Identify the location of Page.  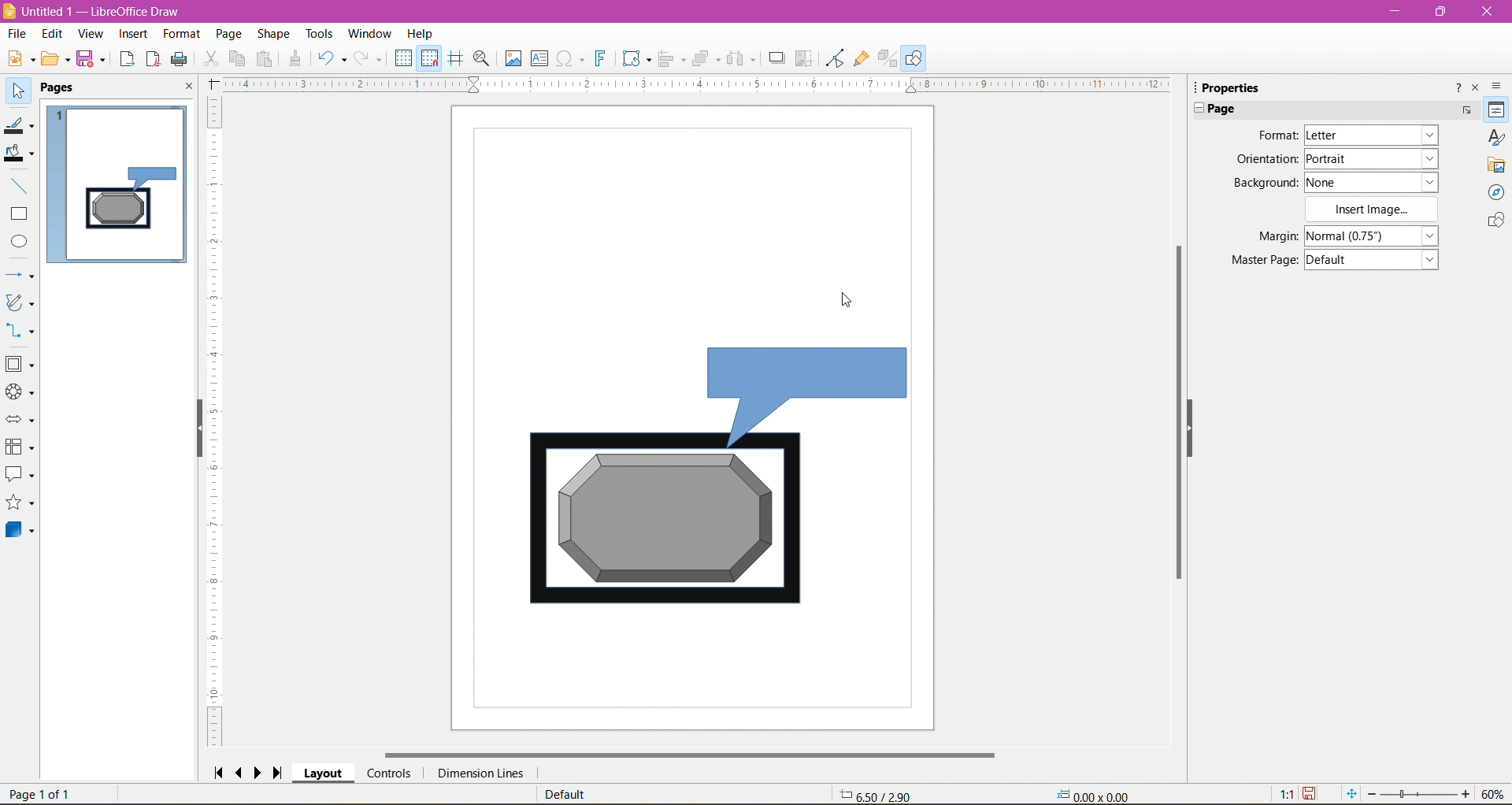
(1228, 109).